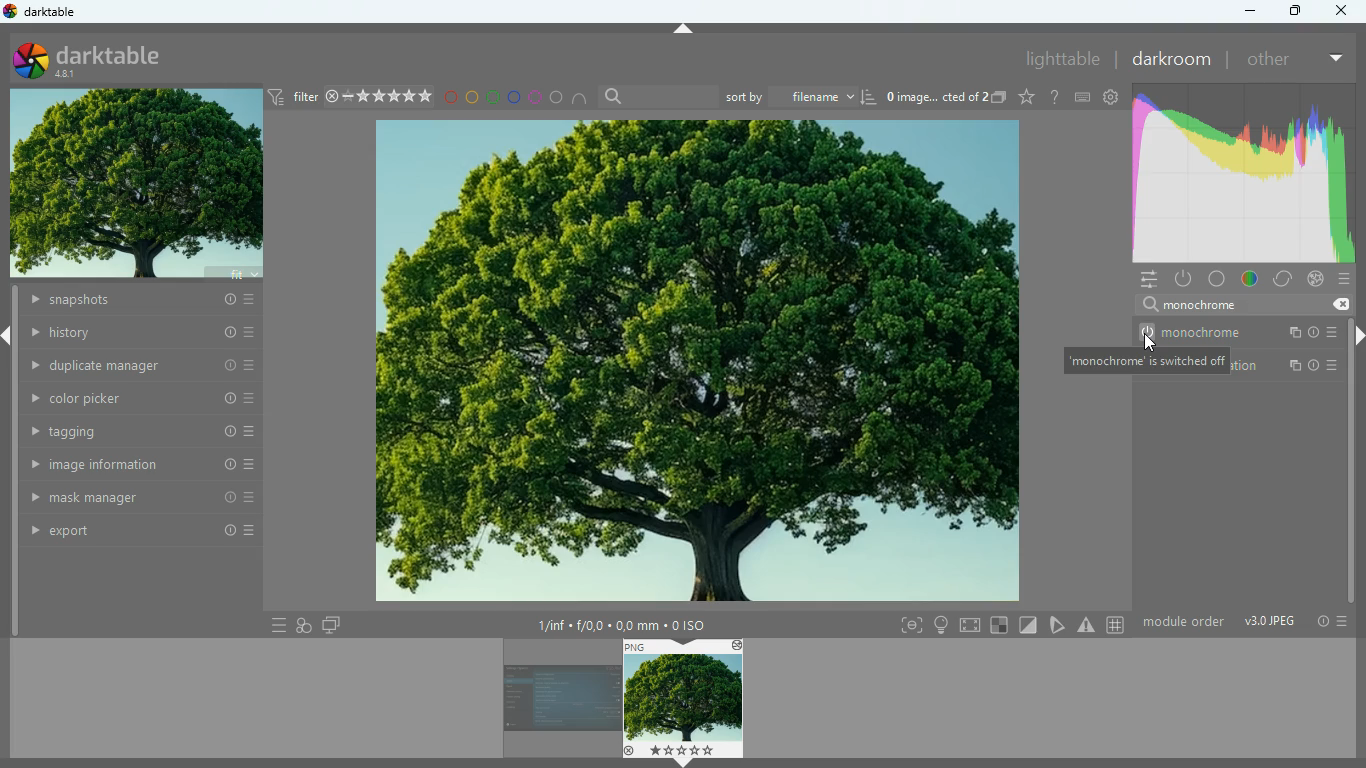 The height and width of the screenshot is (768, 1366). What do you see at coordinates (494, 98) in the screenshot?
I see `green` at bounding box center [494, 98].